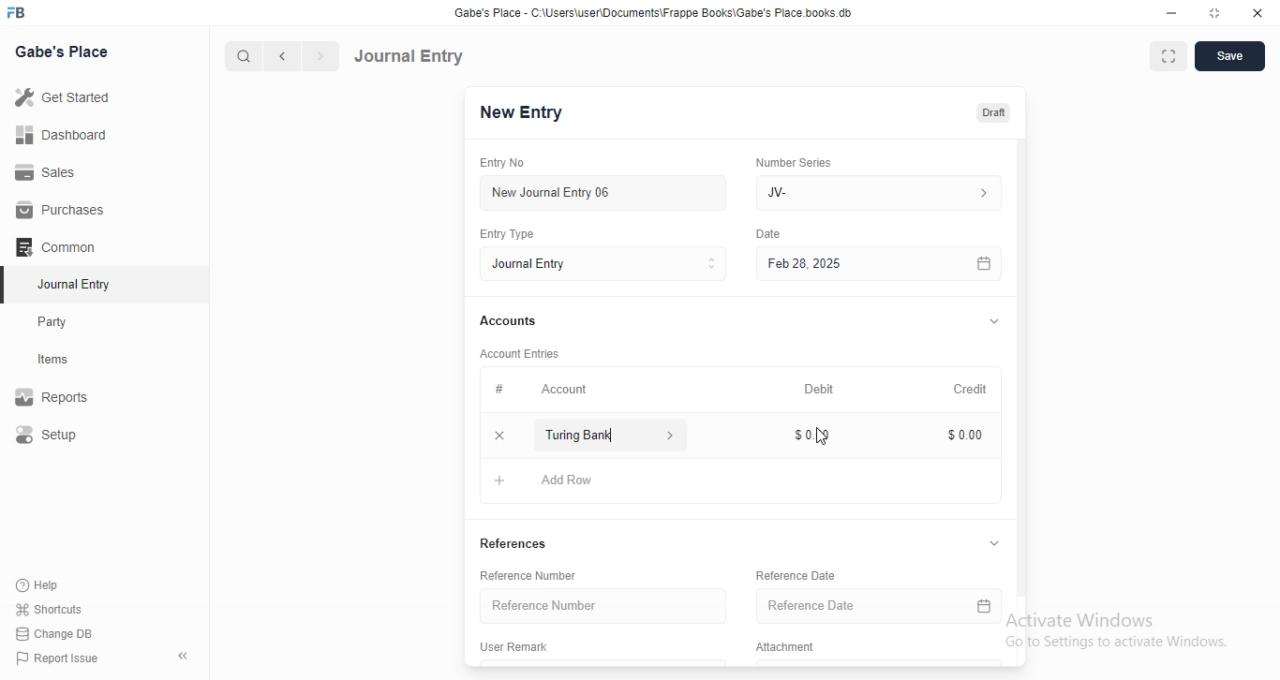 The width and height of the screenshot is (1280, 680). What do you see at coordinates (525, 542) in the screenshot?
I see `References` at bounding box center [525, 542].